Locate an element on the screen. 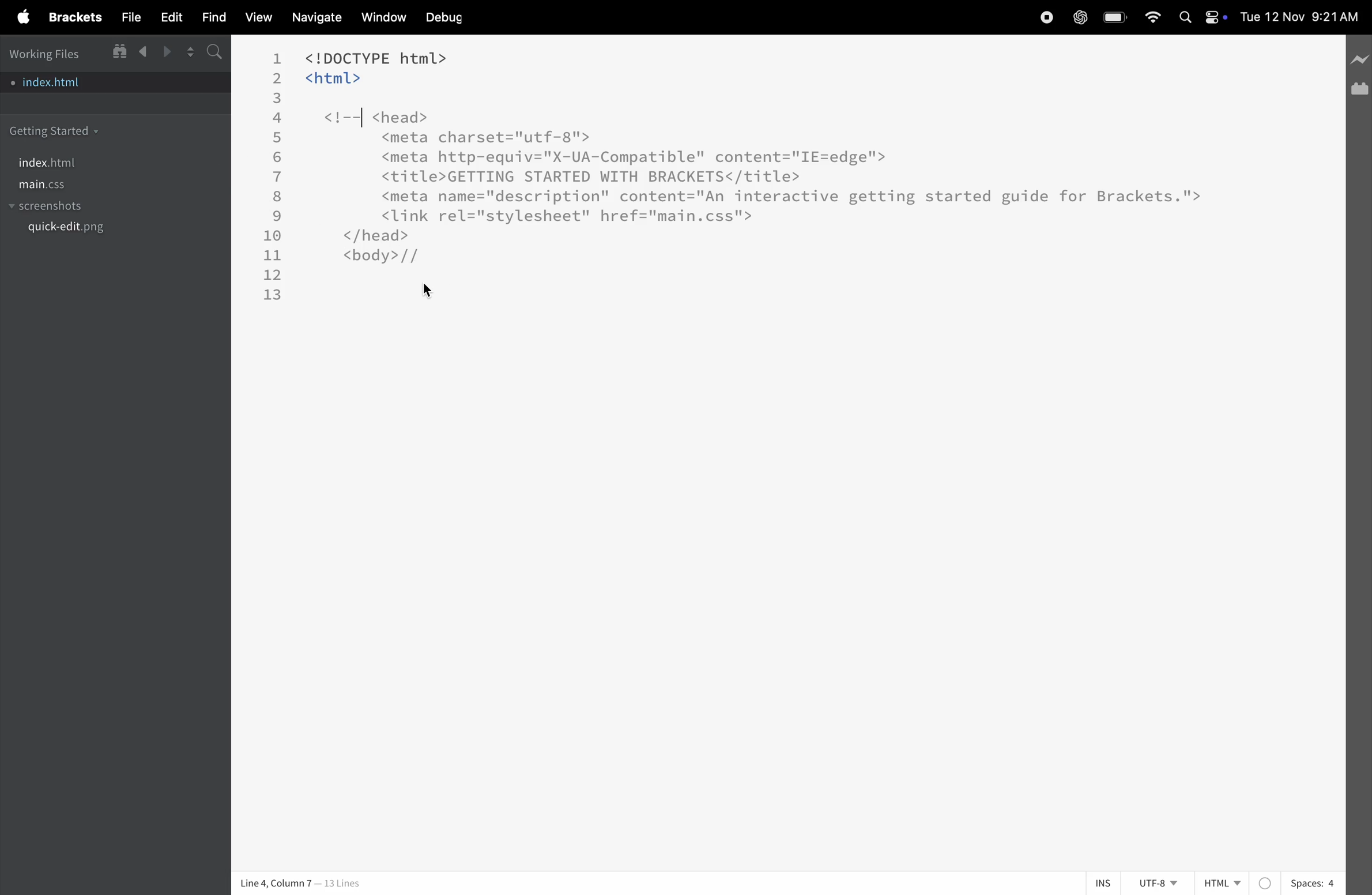 This screenshot has width=1372, height=895. index.html is located at coordinates (66, 160).